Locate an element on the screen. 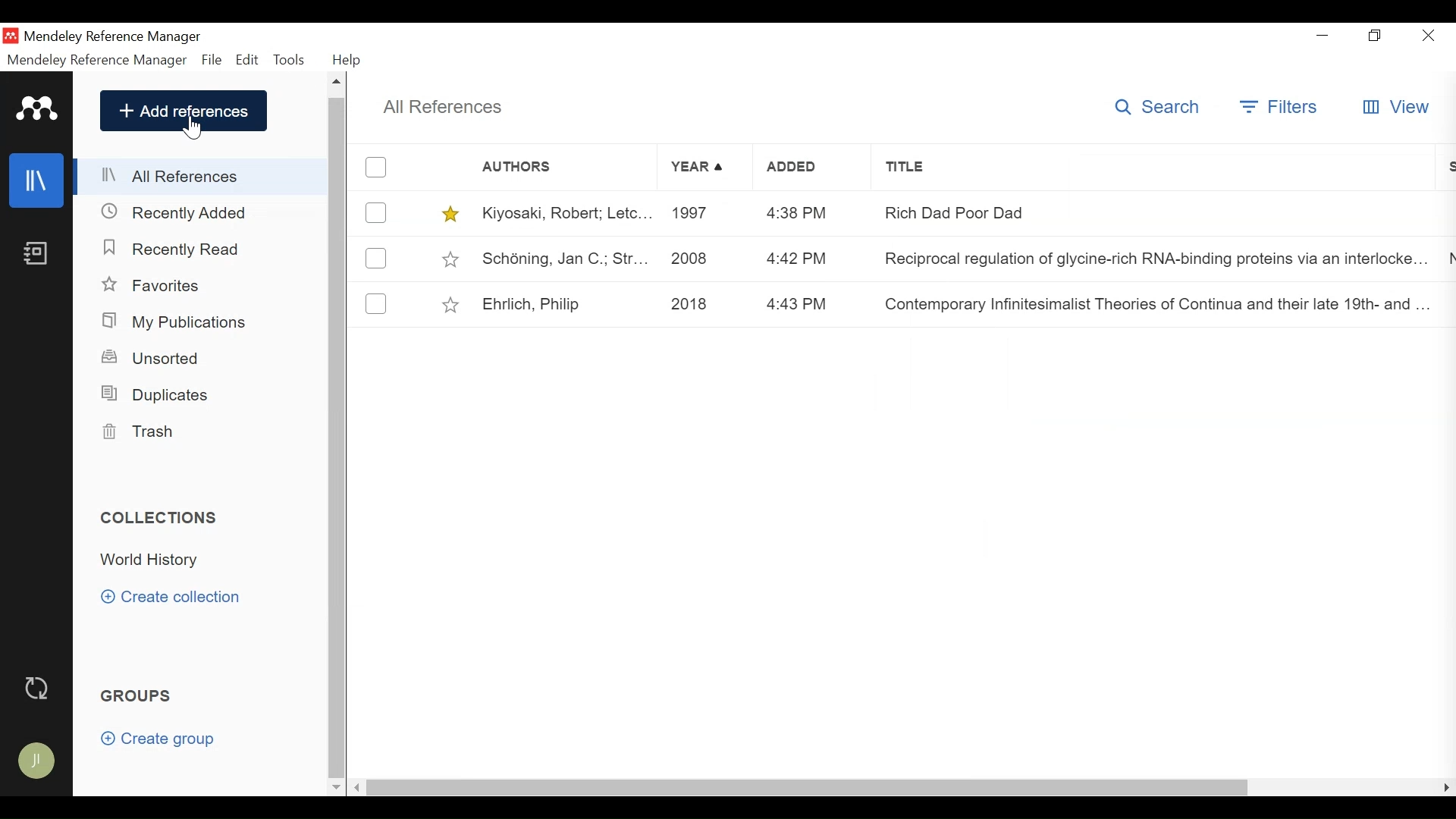  Create group is located at coordinates (158, 739).